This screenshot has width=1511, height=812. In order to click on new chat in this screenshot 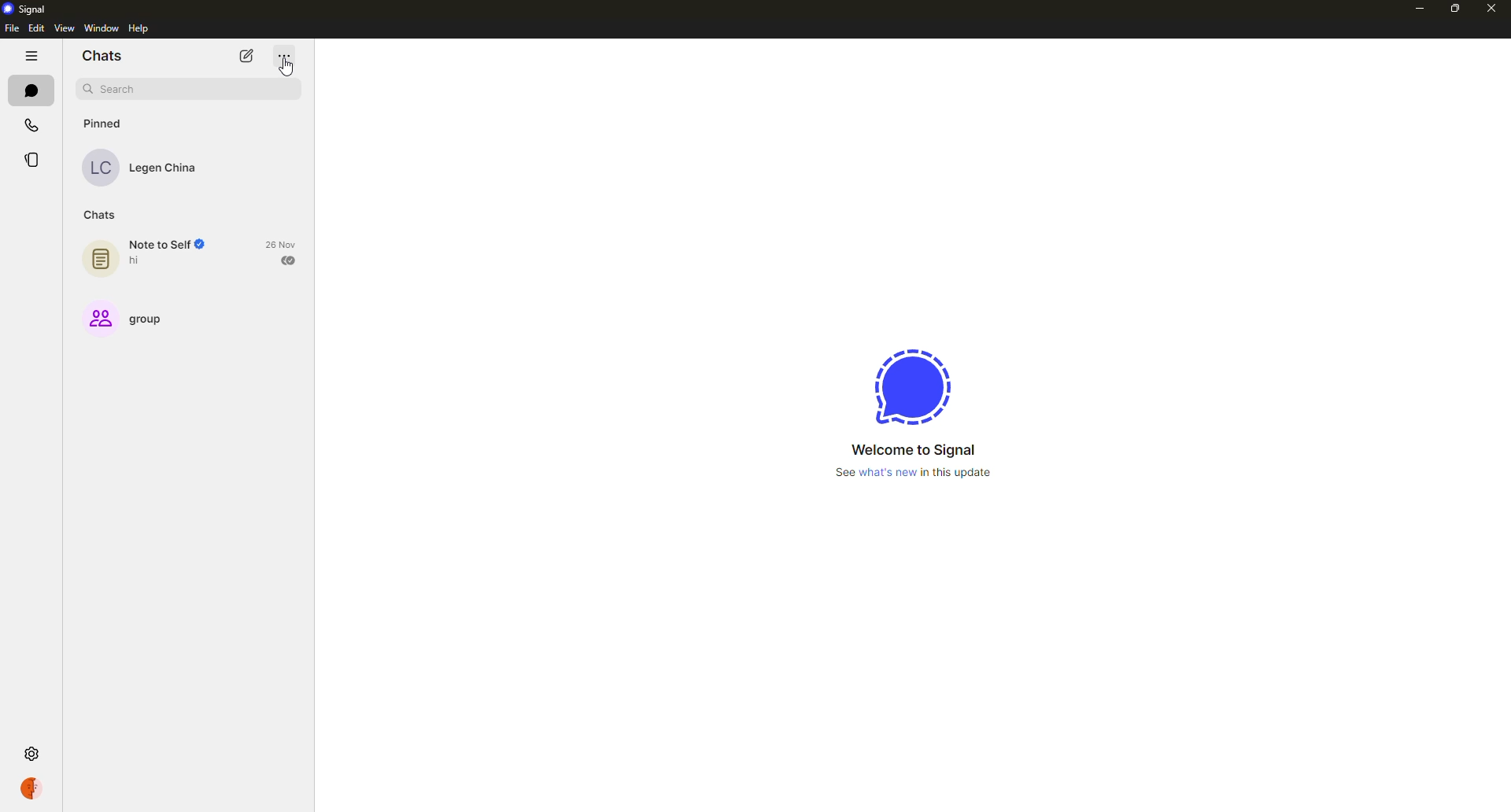, I will do `click(248, 56)`.